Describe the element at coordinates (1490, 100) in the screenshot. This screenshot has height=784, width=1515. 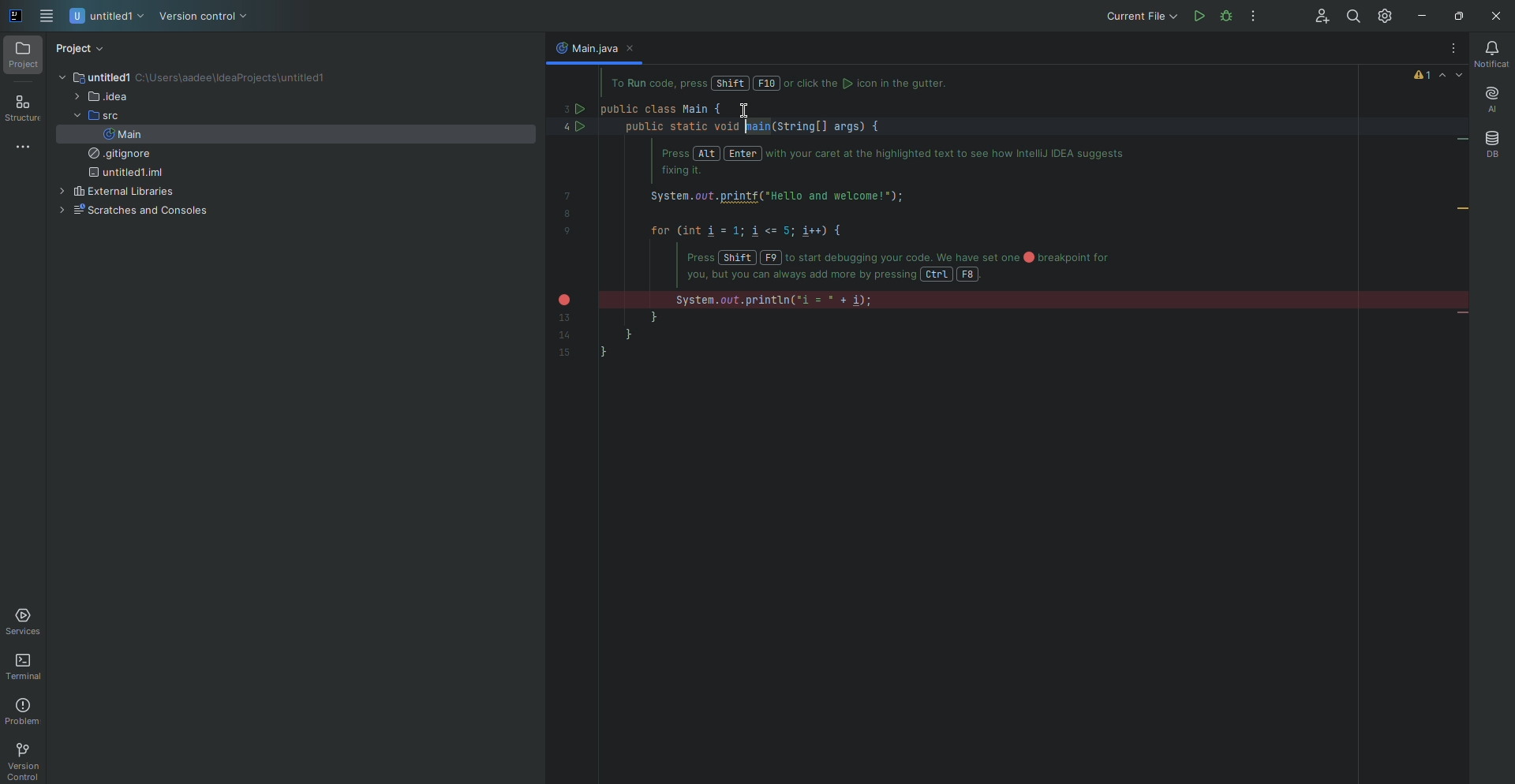
I see `AI` at that location.